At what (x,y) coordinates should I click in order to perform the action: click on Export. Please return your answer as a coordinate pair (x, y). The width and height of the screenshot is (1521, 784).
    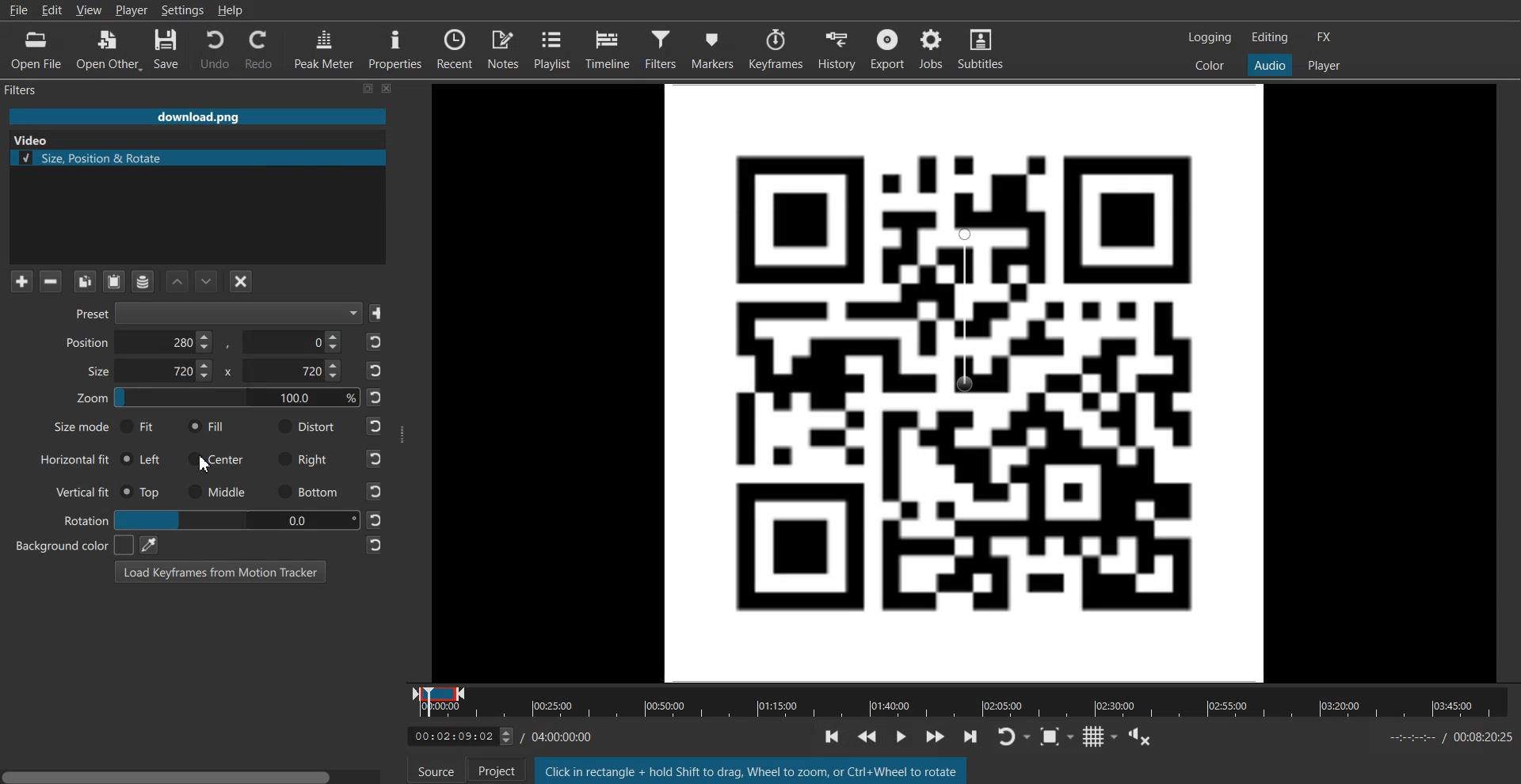
    Looking at the image, I should click on (886, 47).